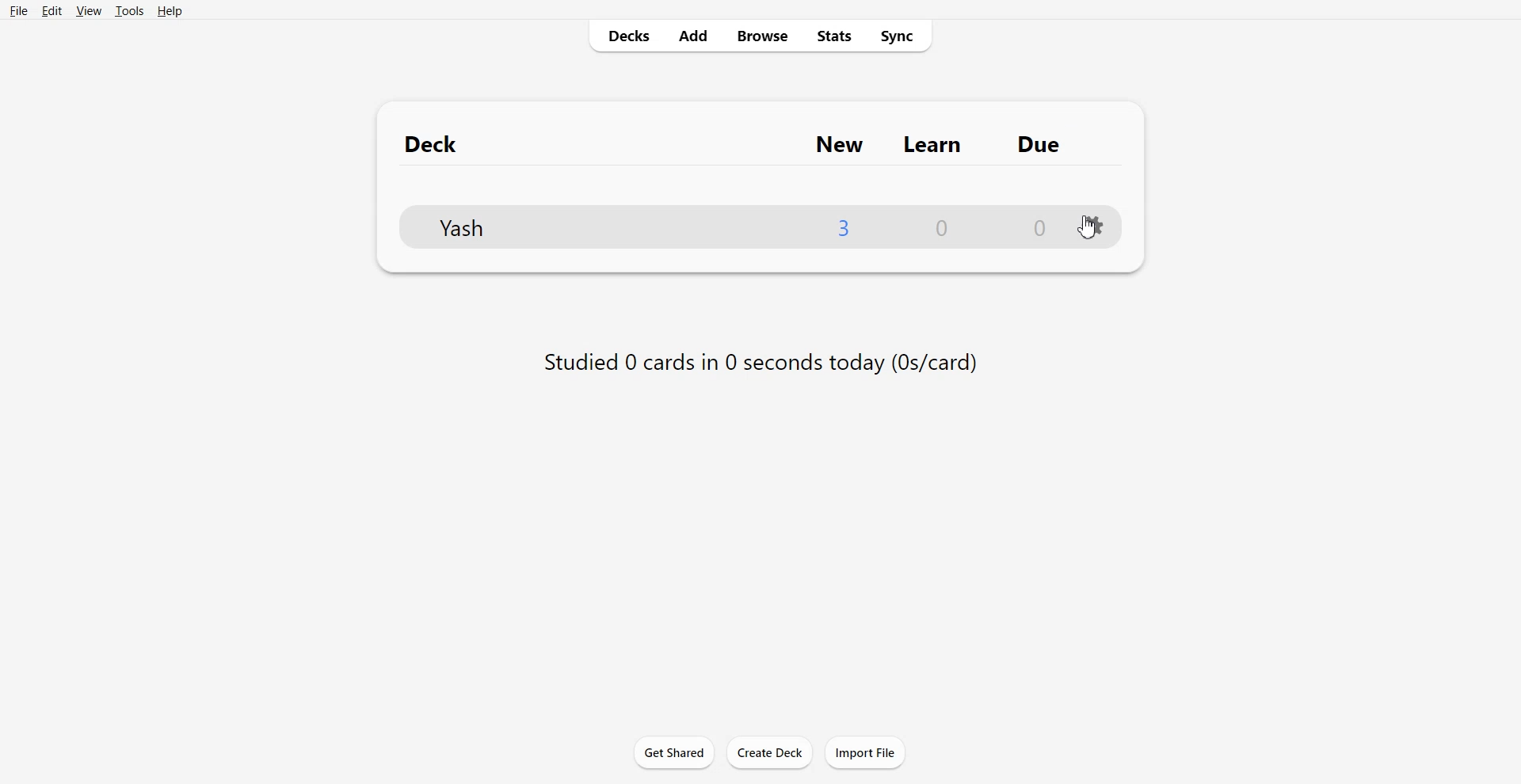 The height and width of the screenshot is (784, 1521). I want to click on Help, so click(170, 11).